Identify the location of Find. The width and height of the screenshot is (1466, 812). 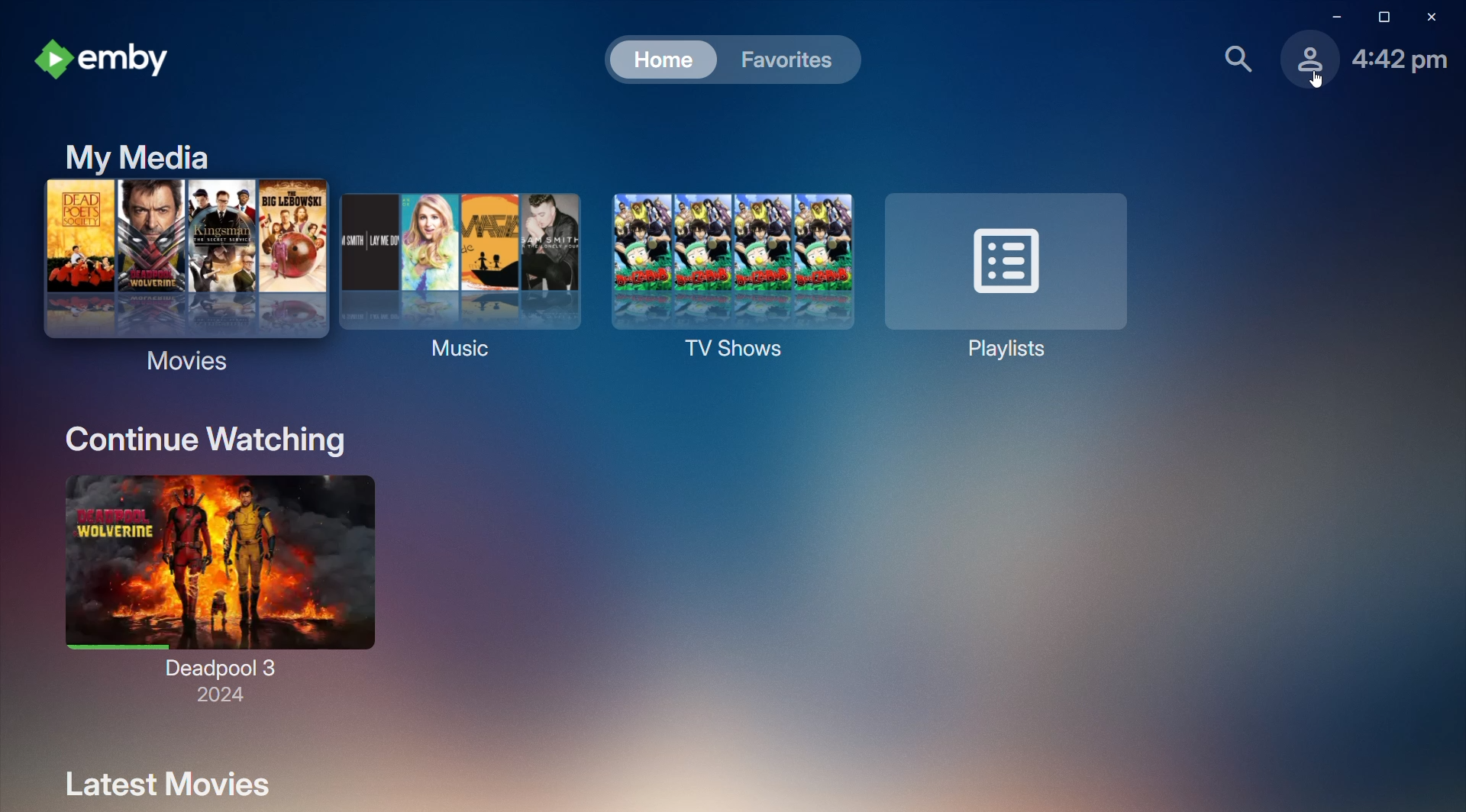
(1235, 57).